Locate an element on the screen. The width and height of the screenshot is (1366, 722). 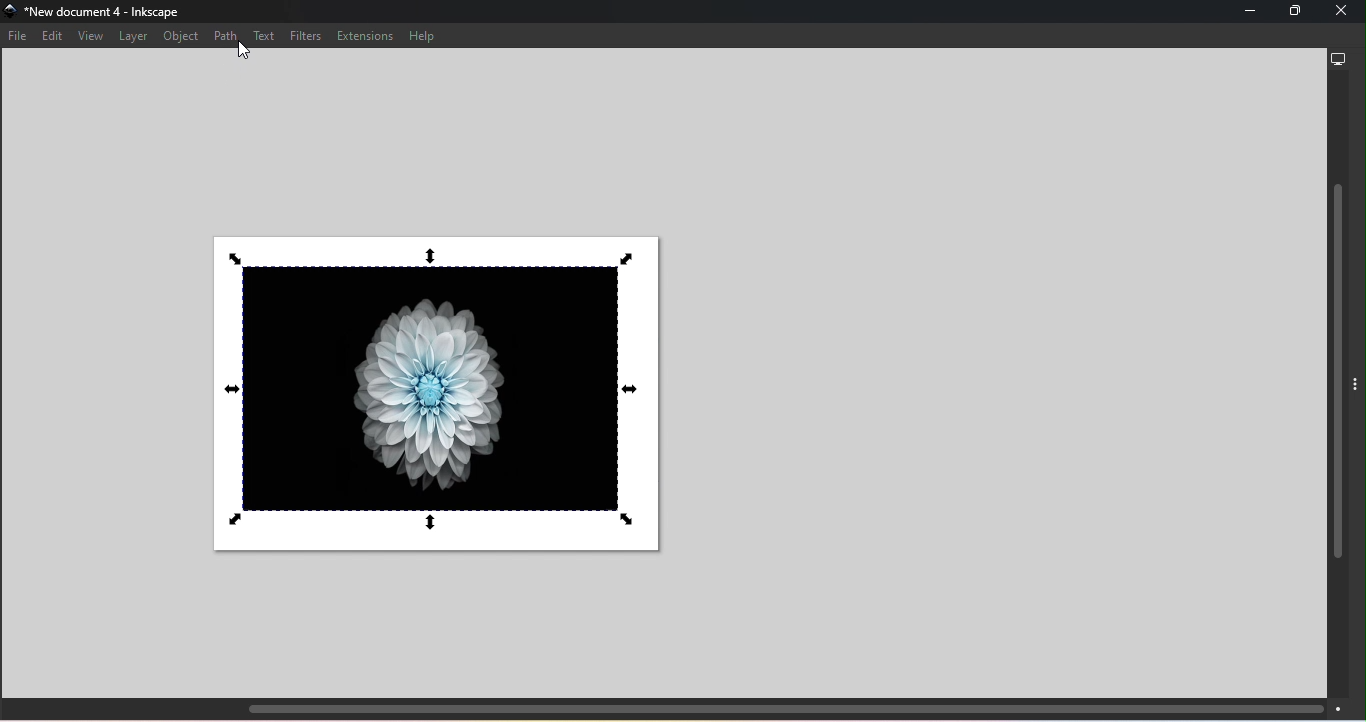
Close is located at coordinates (1344, 11).